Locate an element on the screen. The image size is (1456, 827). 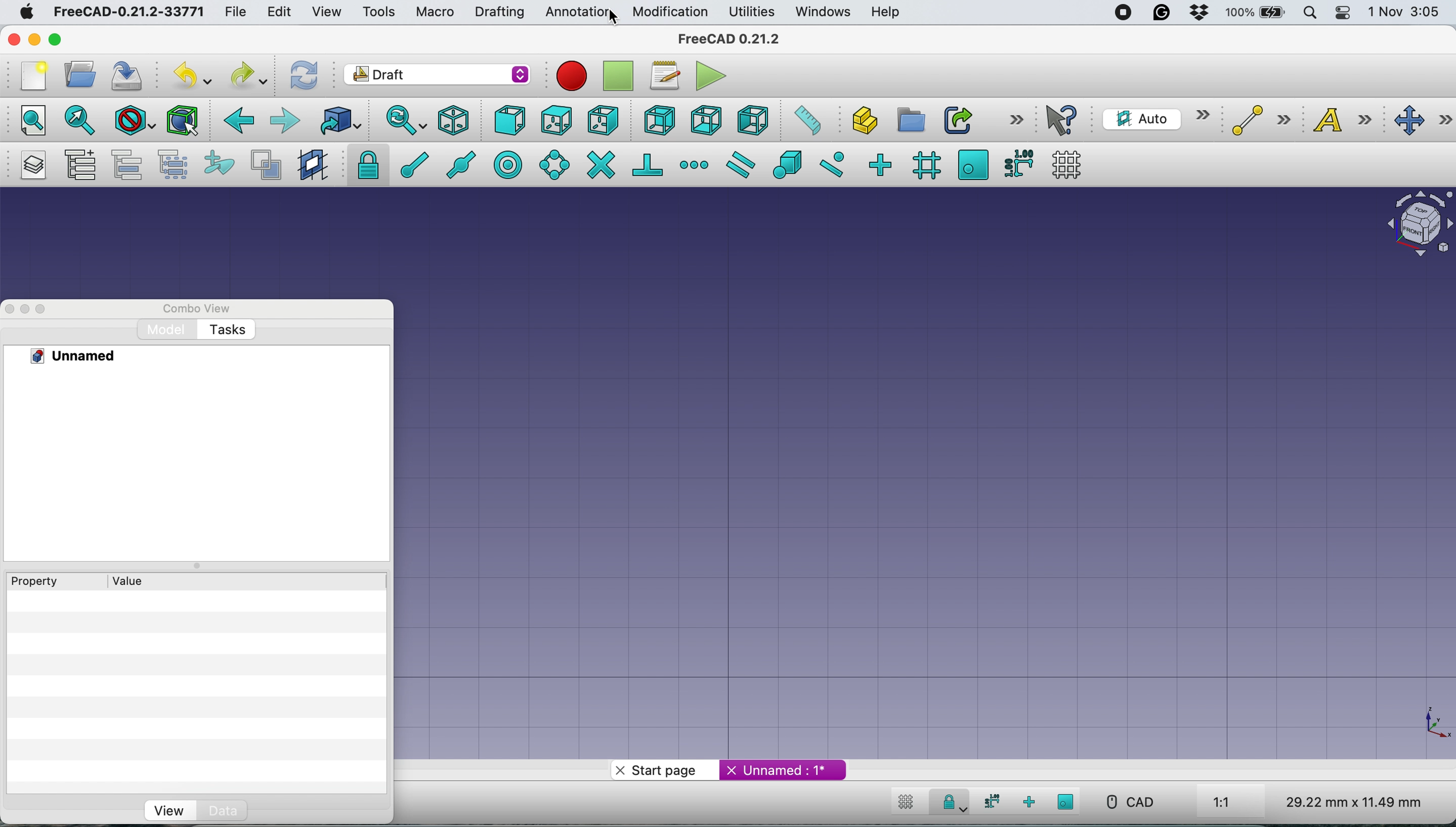
windows is located at coordinates (820, 11).